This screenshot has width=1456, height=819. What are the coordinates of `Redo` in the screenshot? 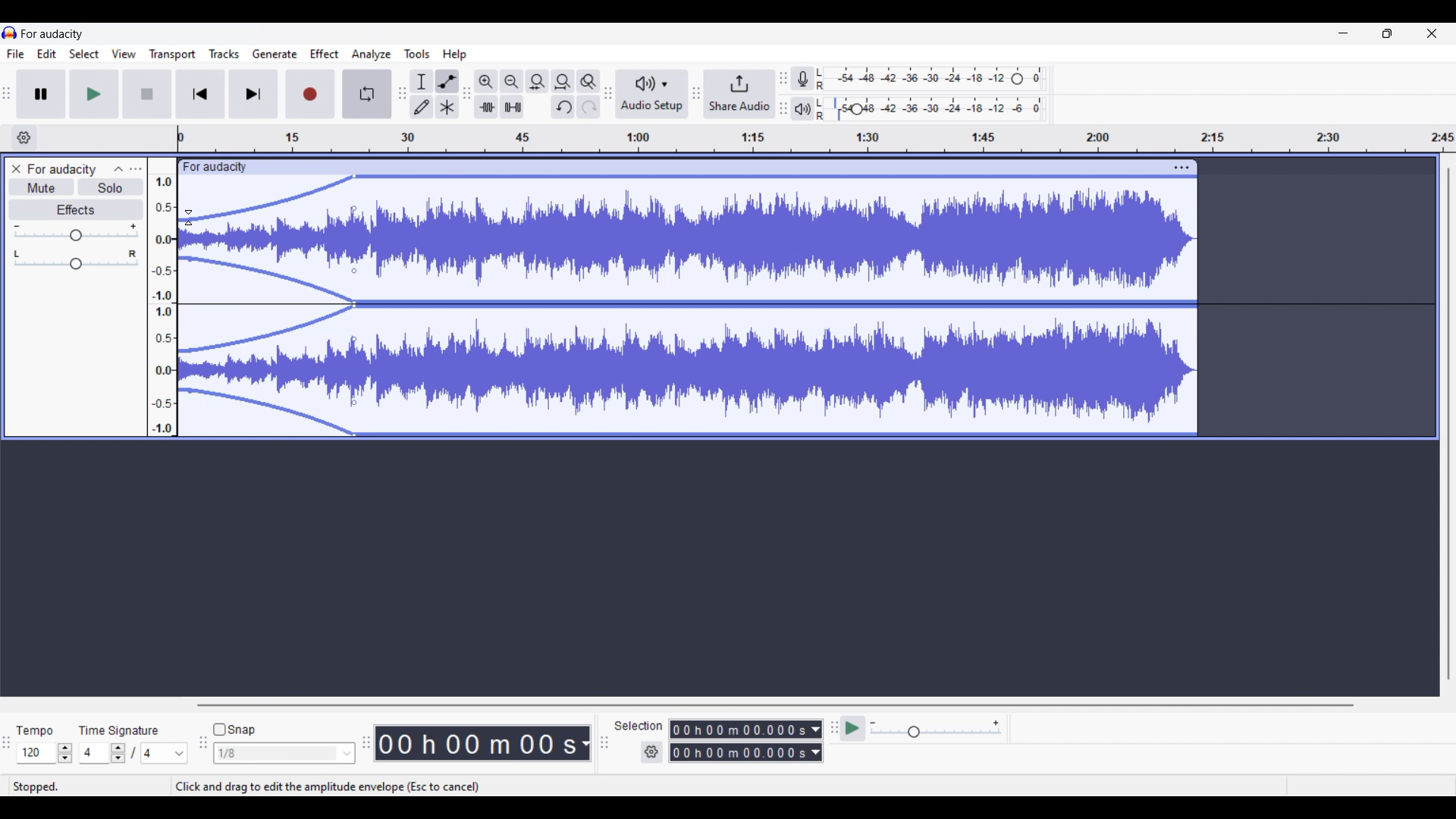 It's located at (589, 106).